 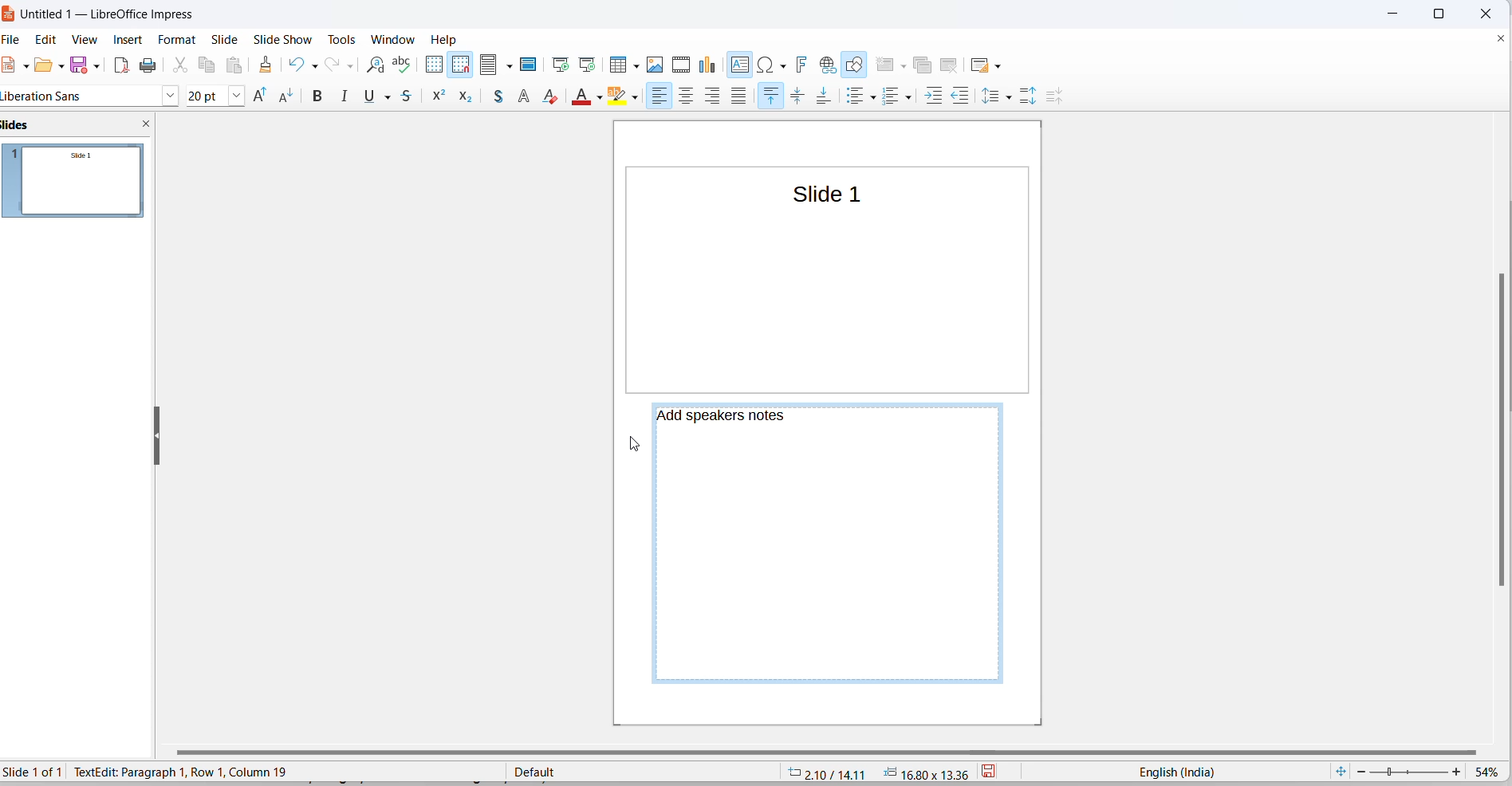 What do you see at coordinates (80, 64) in the screenshot?
I see `save` at bounding box center [80, 64].